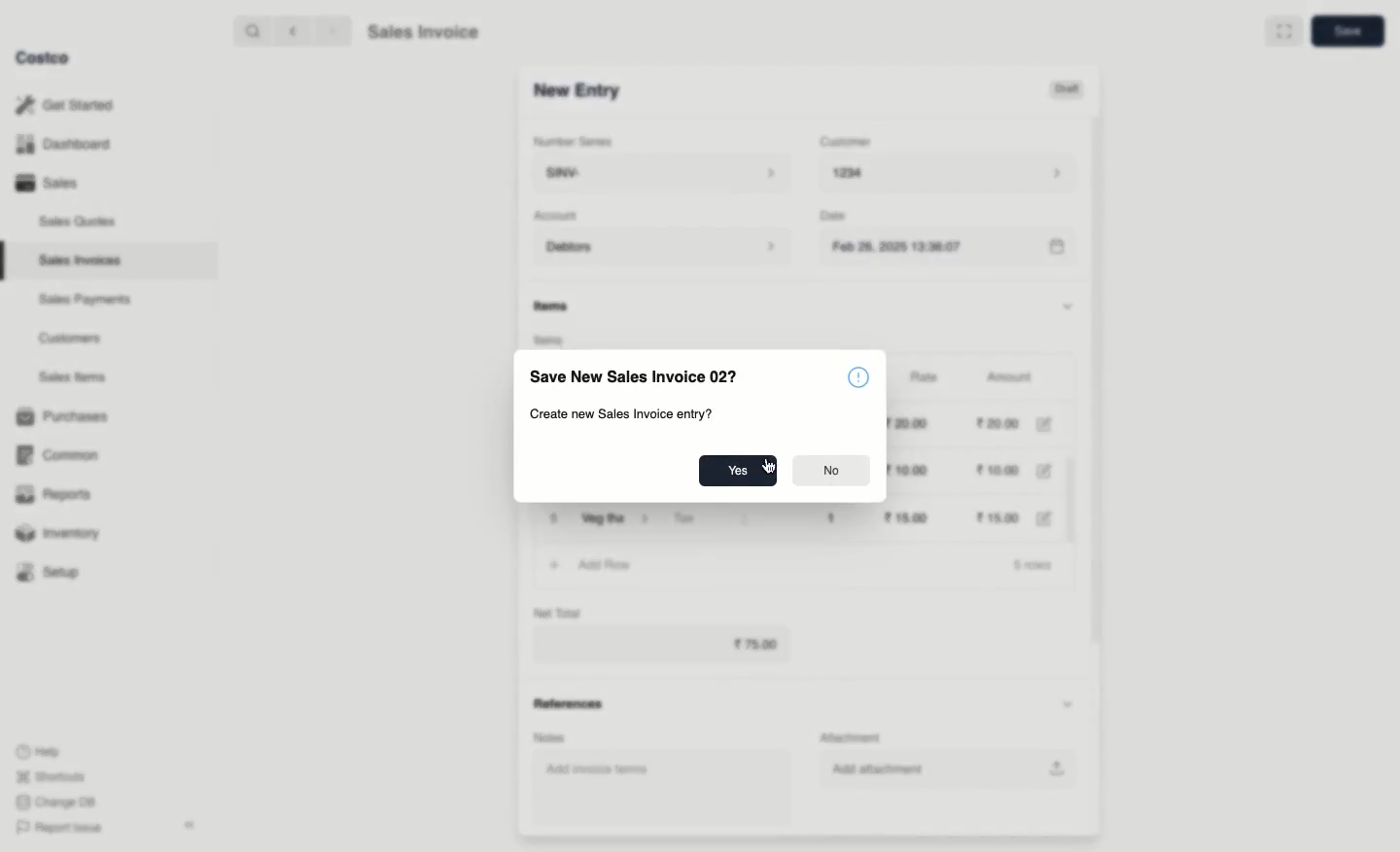 The width and height of the screenshot is (1400, 852). Describe the element at coordinates (423, 34) in the screenshot. I see `Sales Invoice` at that location.